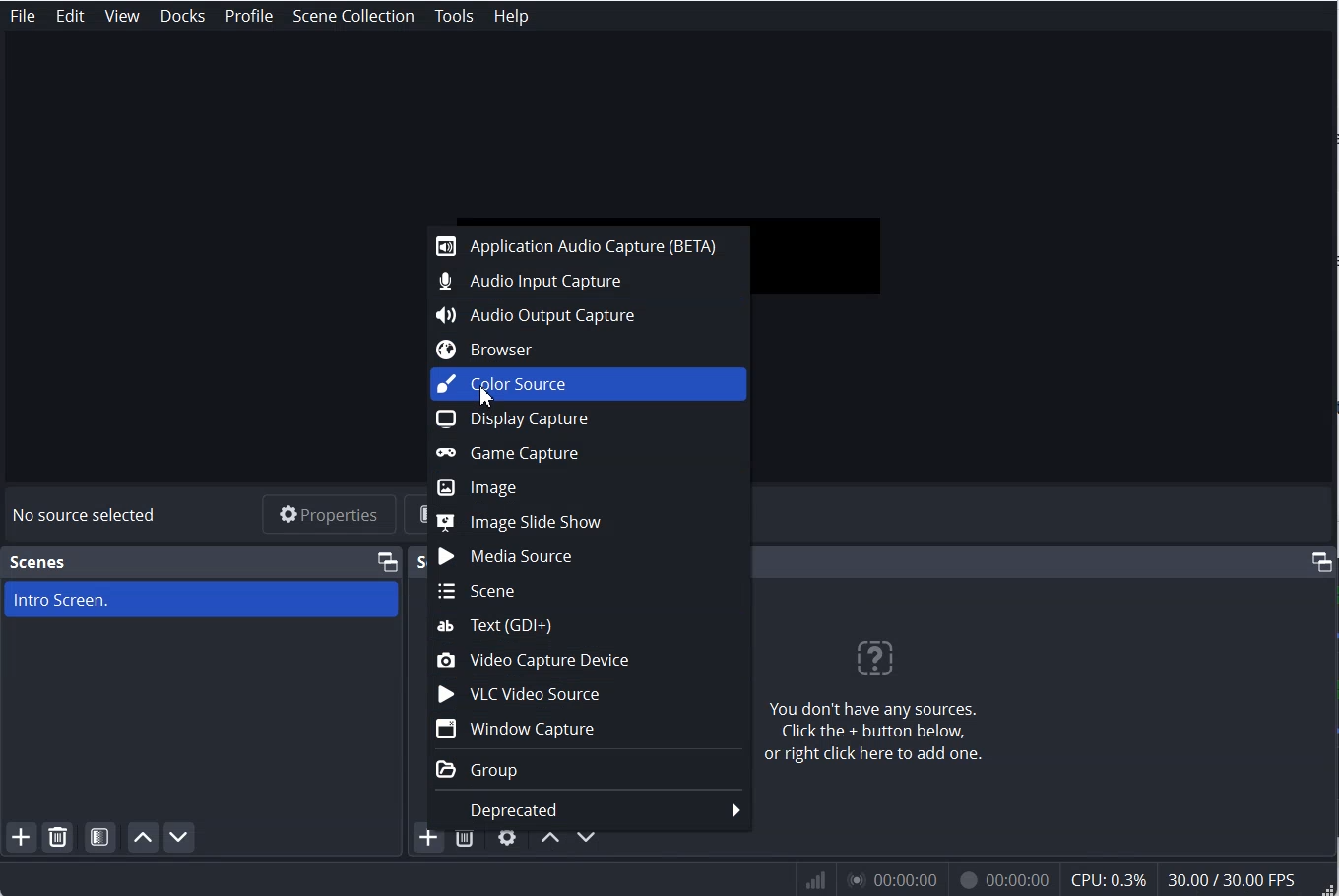  I want to click on Open Scene Filter, so click(101, 837).